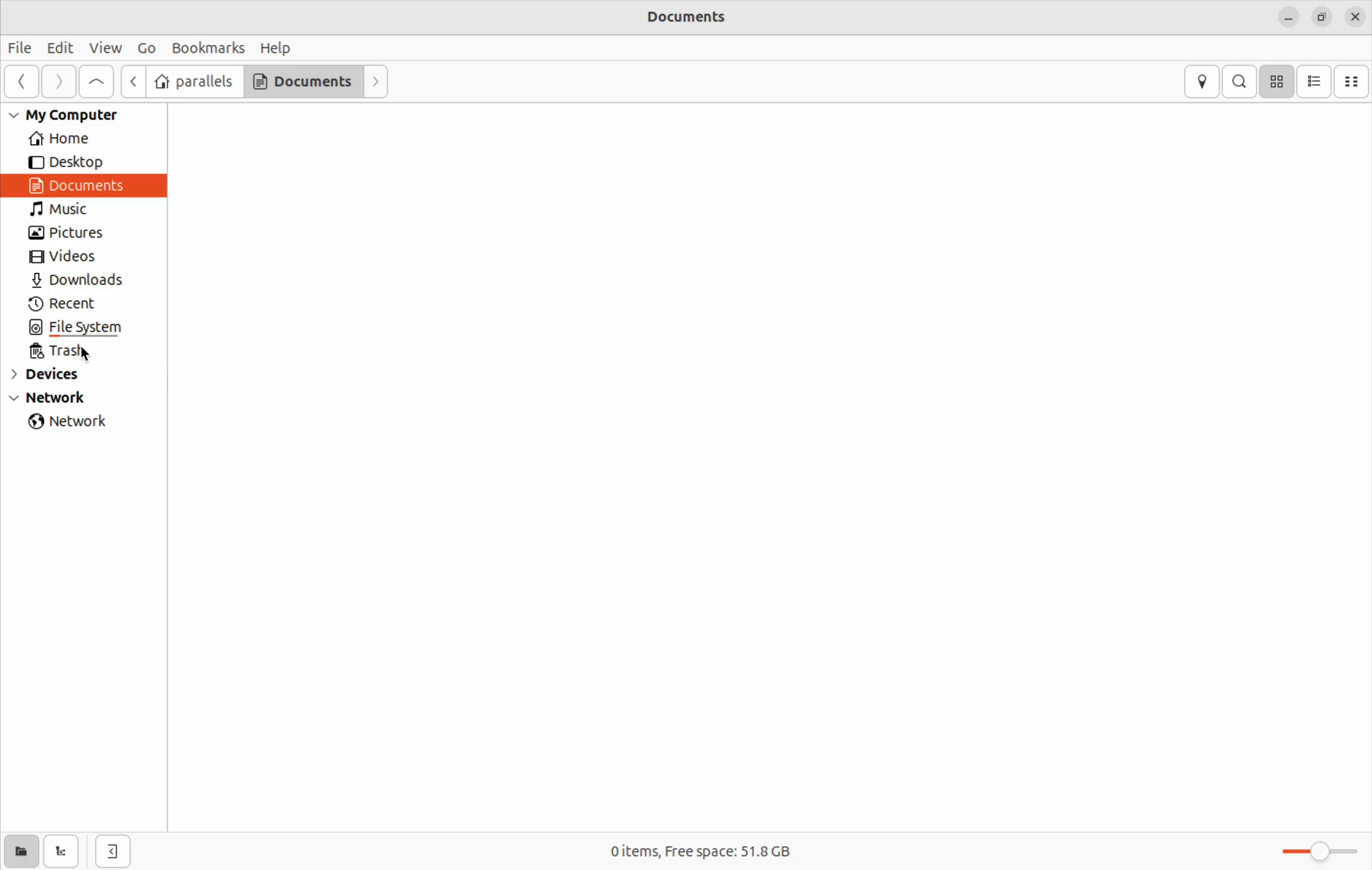 This screenshot has height=870, width=1372. I want to click on cursor, so click(87, 354).